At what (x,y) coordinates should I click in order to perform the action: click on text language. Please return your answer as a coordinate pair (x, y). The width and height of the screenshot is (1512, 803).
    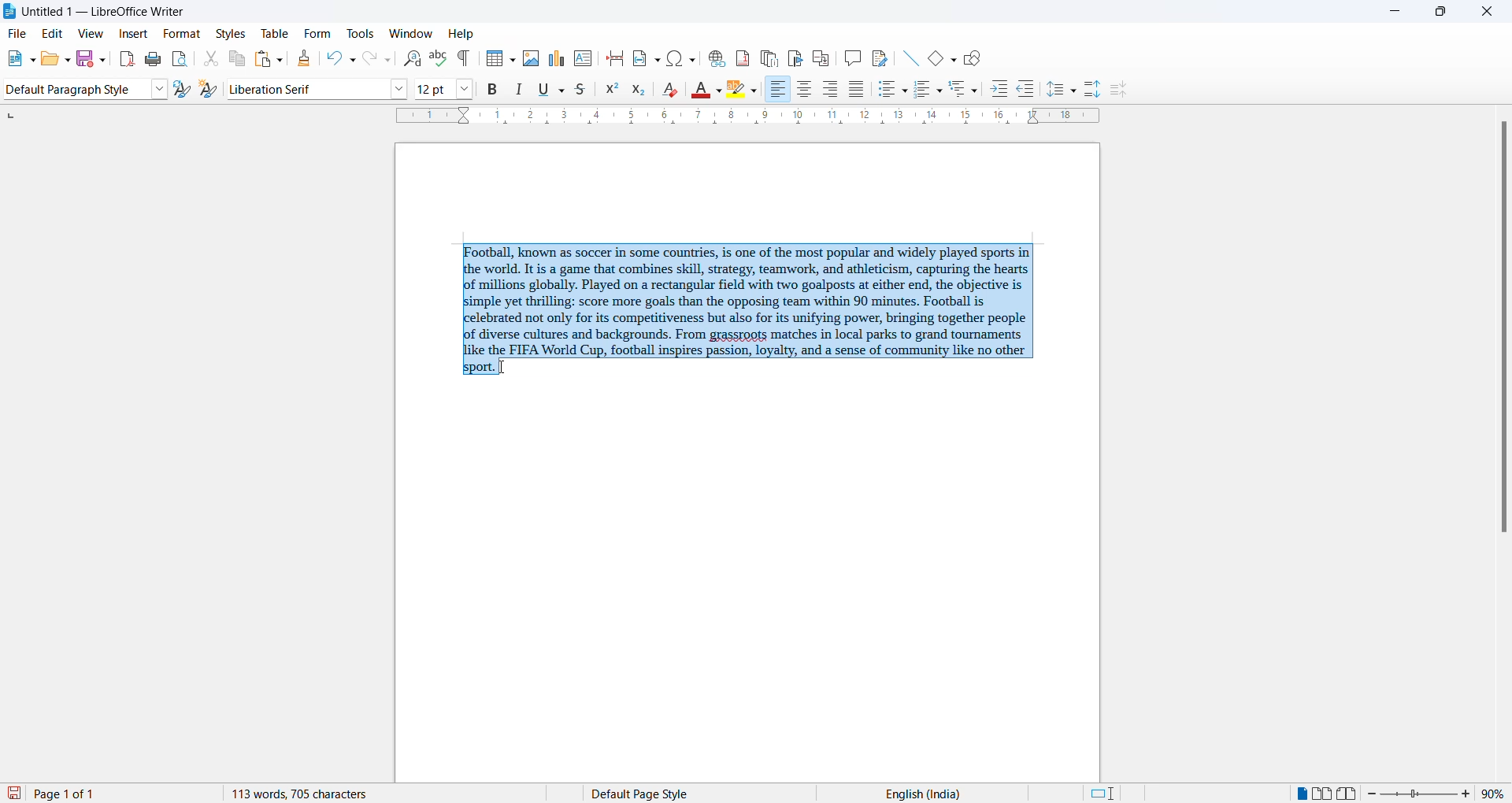
    Looking at the image, I should click on (974, 794).